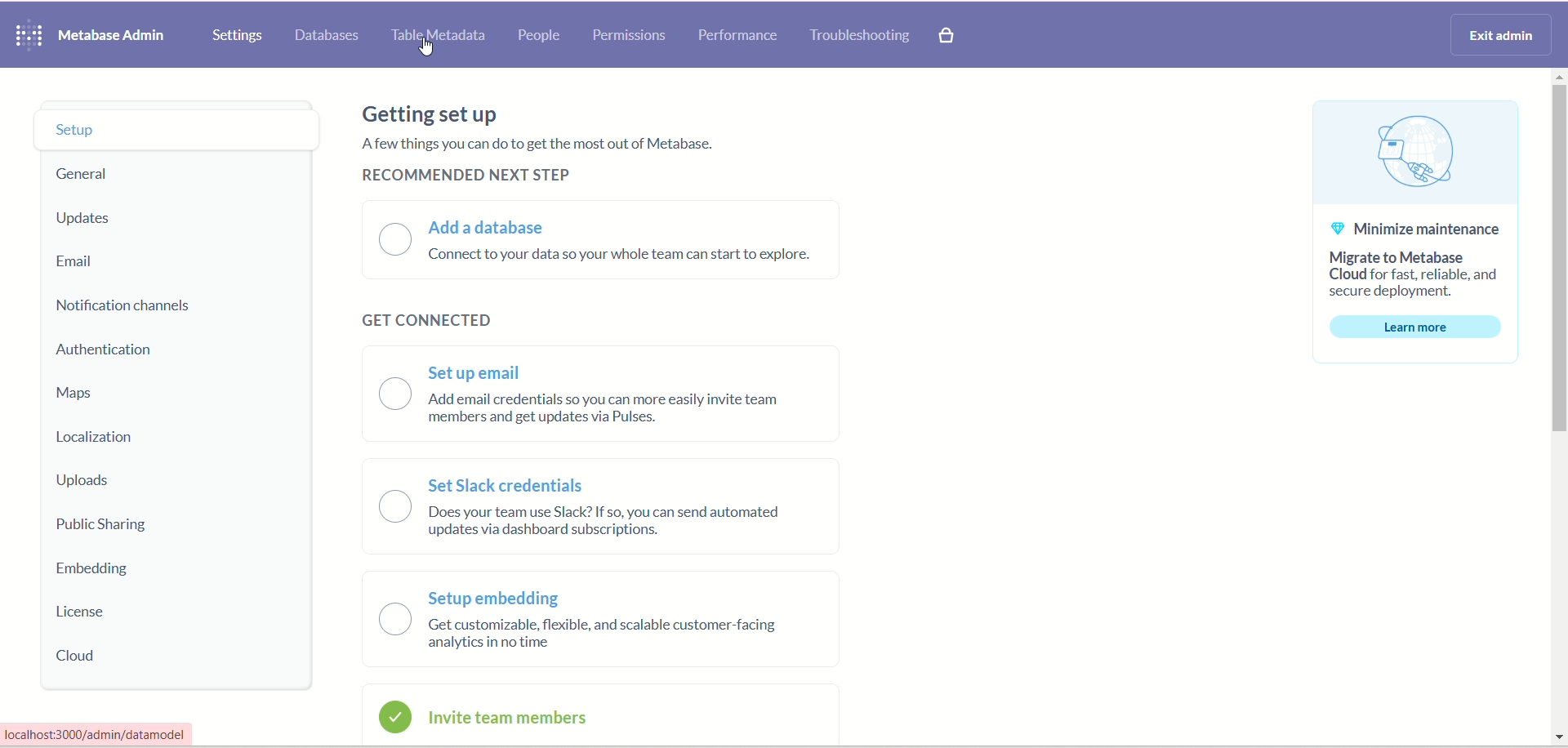 The width and height of the screenshot is (1568, 748). What do you see at coordinates (102, 443) in the screenshot?
I see `localization` at bounding box center [102, 443].